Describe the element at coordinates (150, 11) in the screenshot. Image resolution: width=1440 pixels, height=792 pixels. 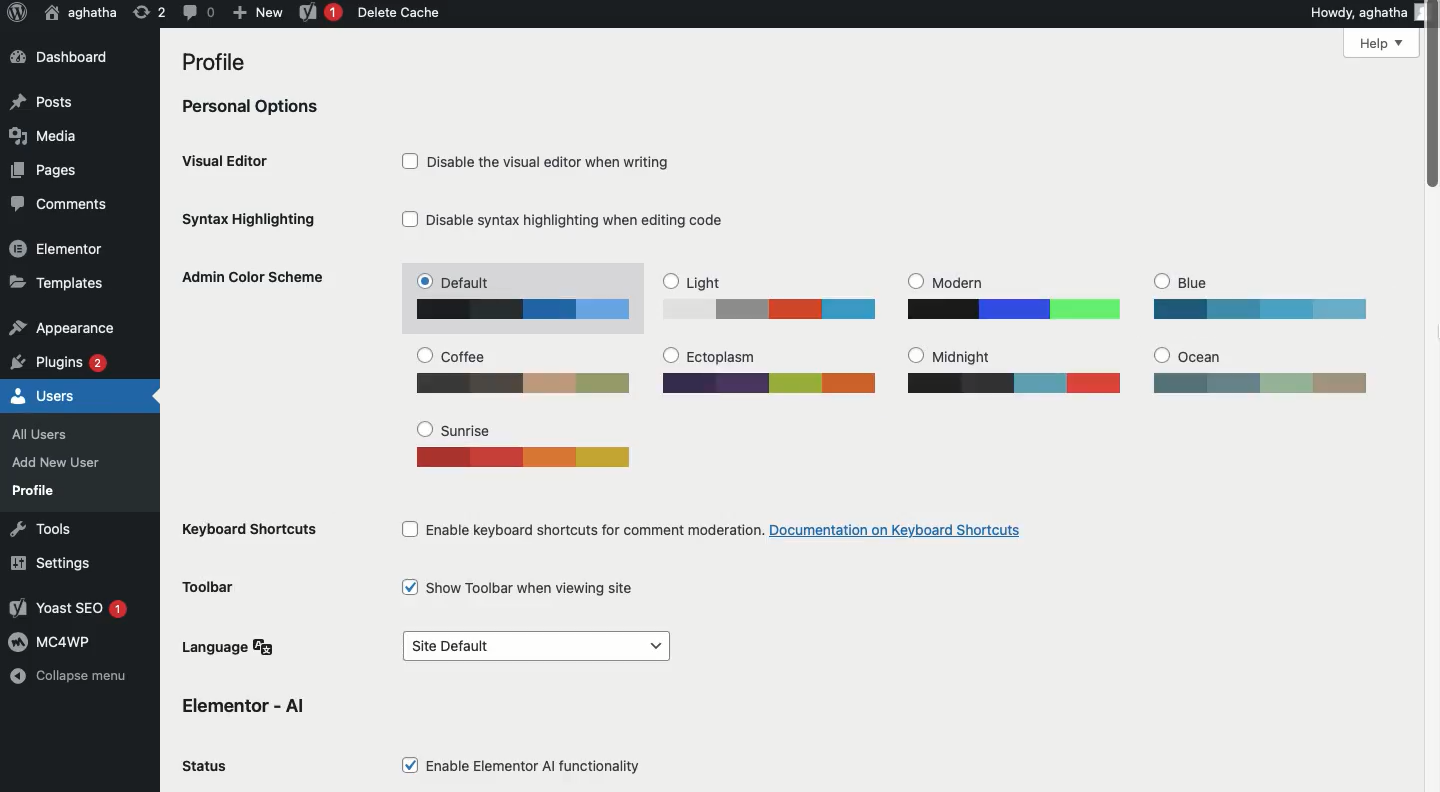
I see `Revision` at that location.